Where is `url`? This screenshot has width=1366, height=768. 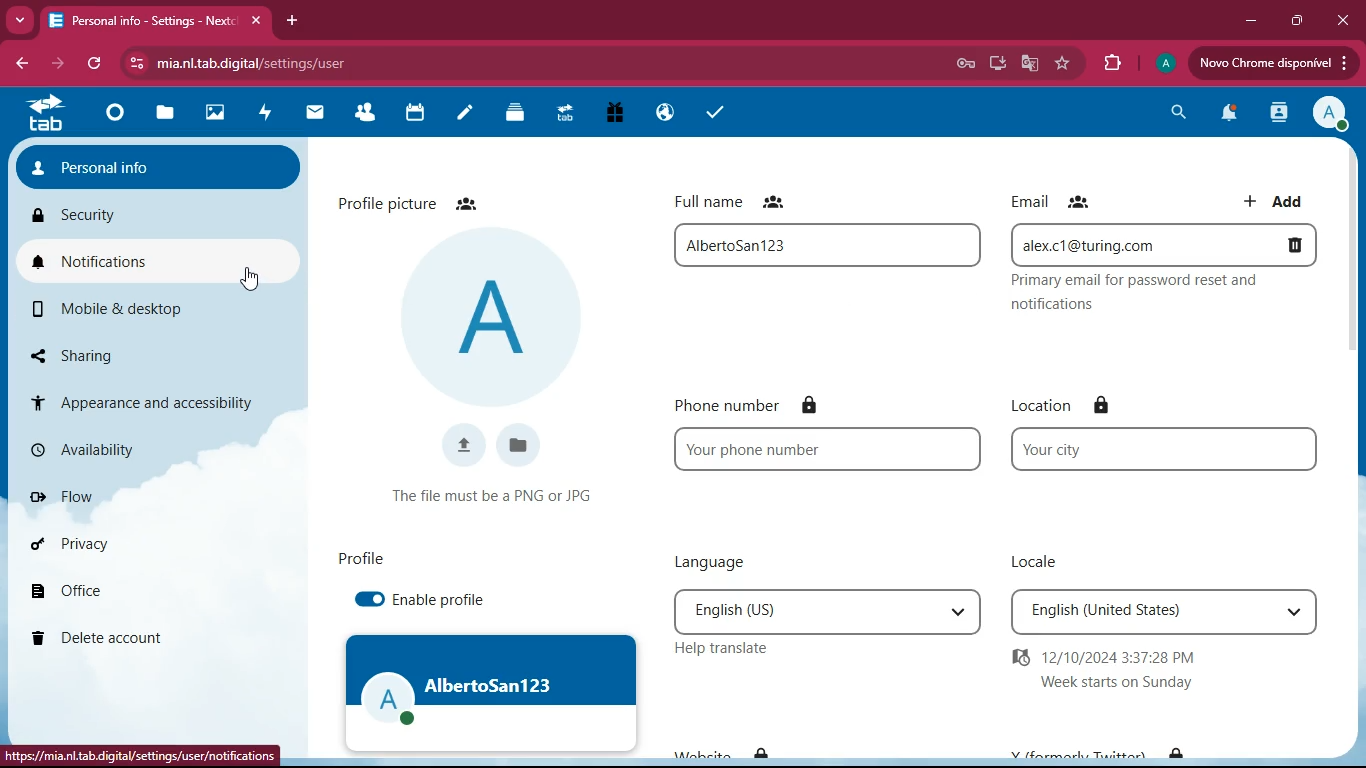 url is located at coordinates (142, 758).